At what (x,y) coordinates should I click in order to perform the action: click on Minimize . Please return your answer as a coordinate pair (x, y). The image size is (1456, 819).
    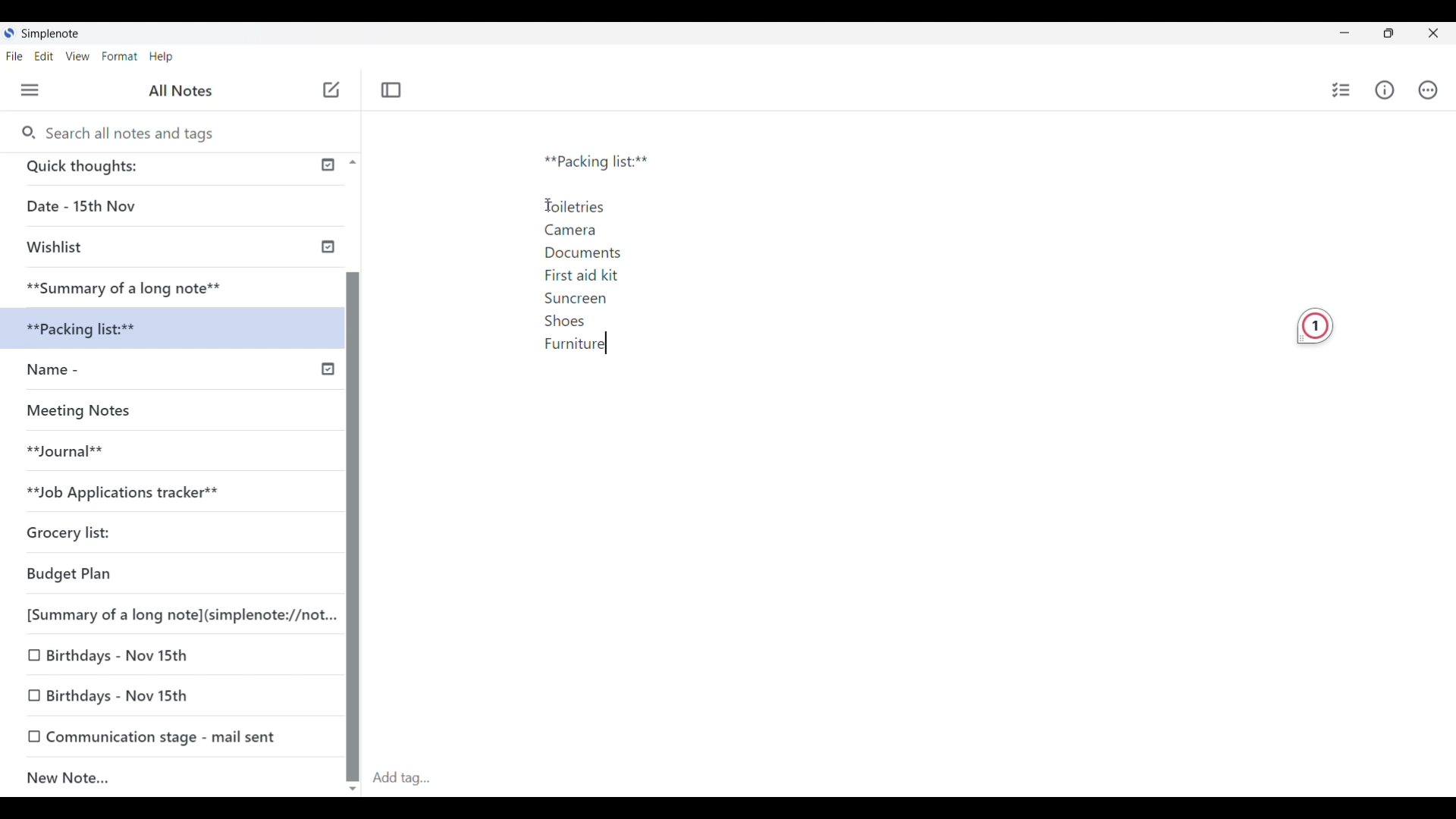
    Looking at the image, I should click on (1345, 33).